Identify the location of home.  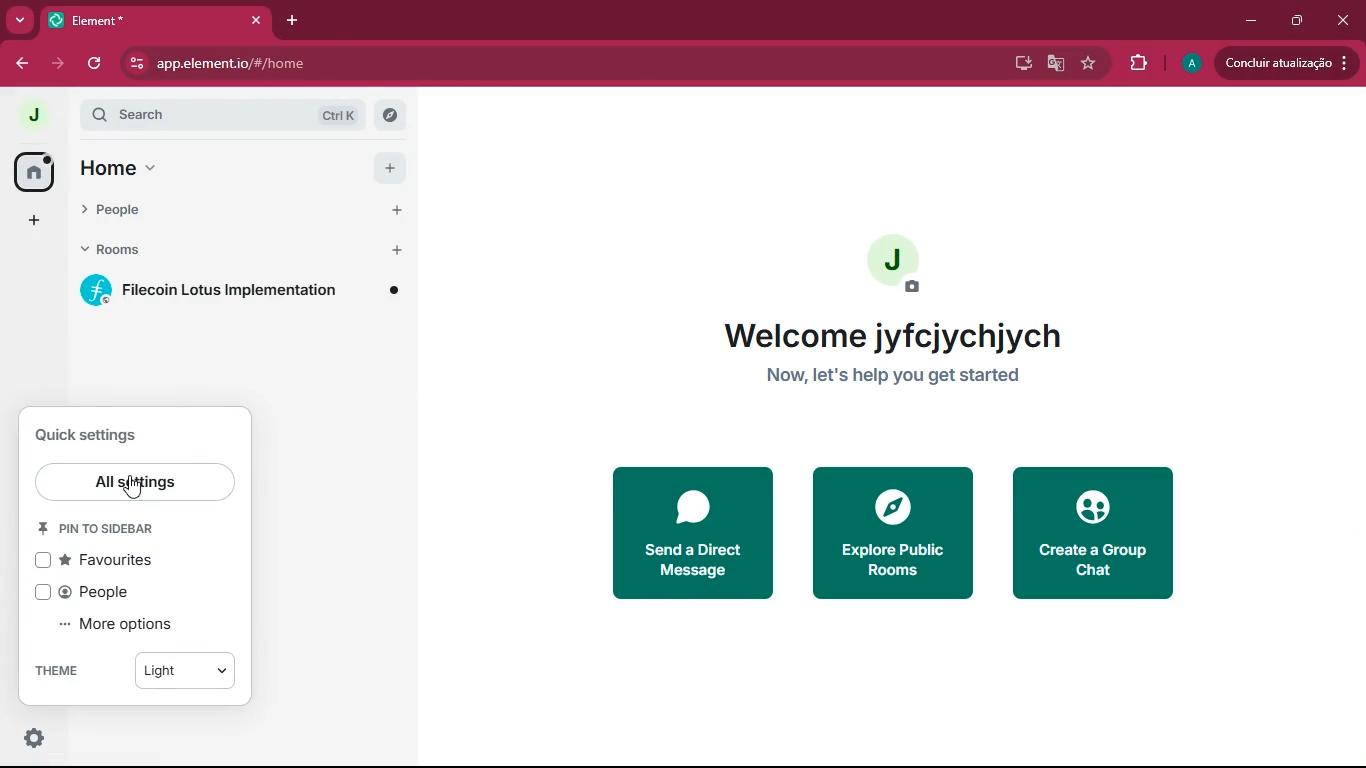
(154, 169).